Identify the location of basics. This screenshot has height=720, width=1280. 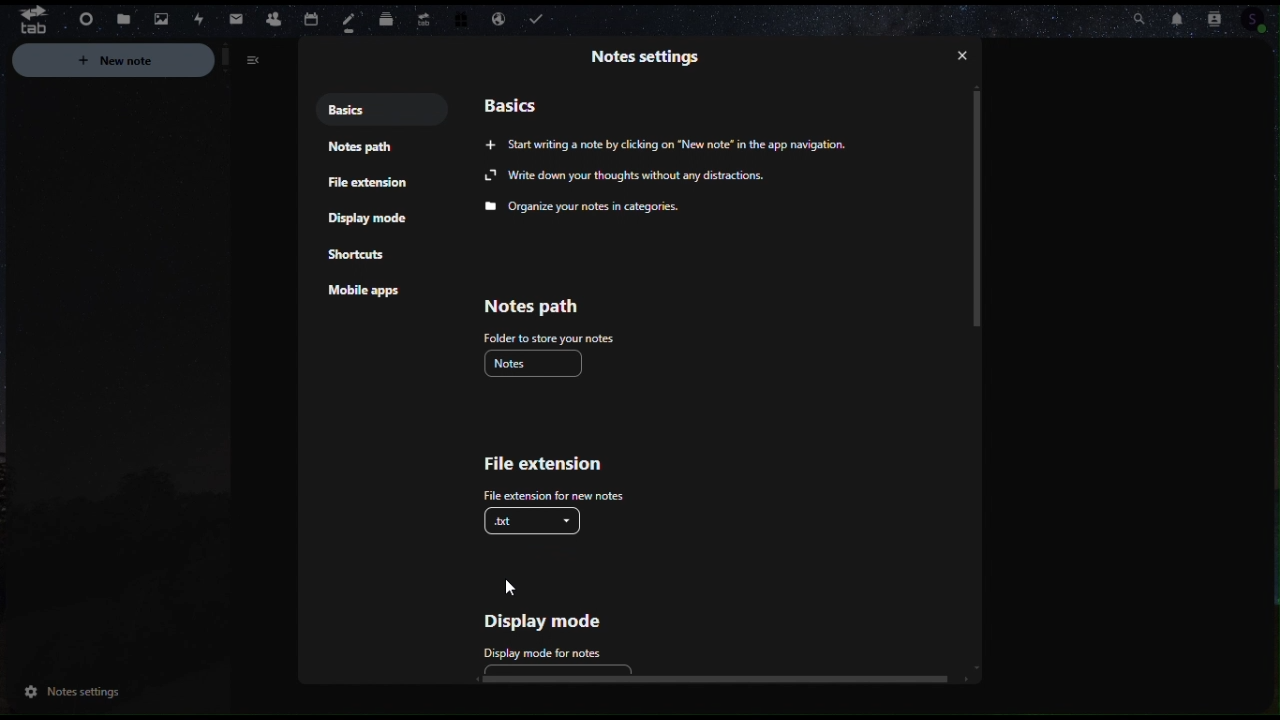
(514, 104).